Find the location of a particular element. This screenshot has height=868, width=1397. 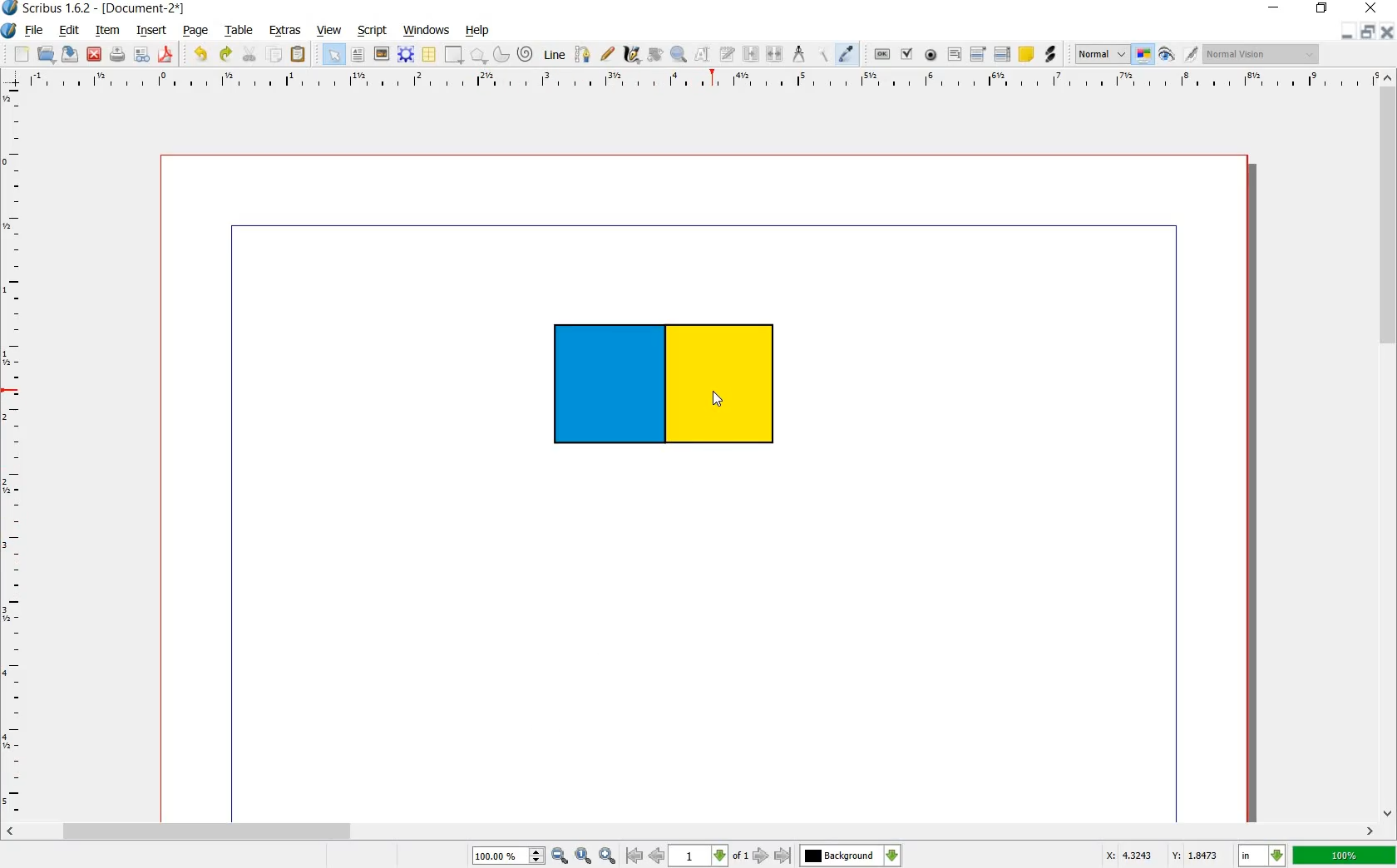

zoom out is located at coordinates (560, 854).